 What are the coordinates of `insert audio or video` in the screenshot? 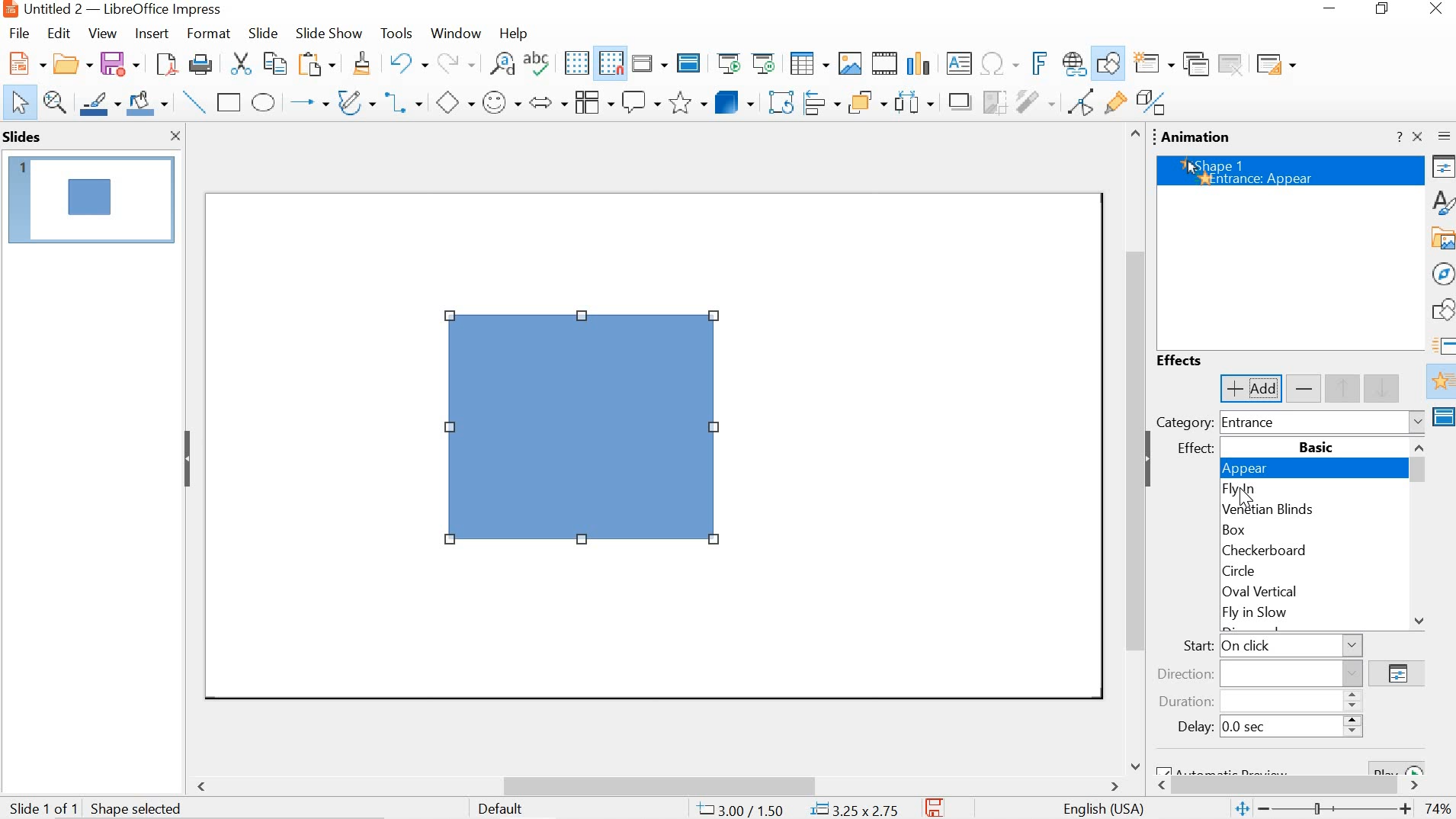 It's located at (883, 62).